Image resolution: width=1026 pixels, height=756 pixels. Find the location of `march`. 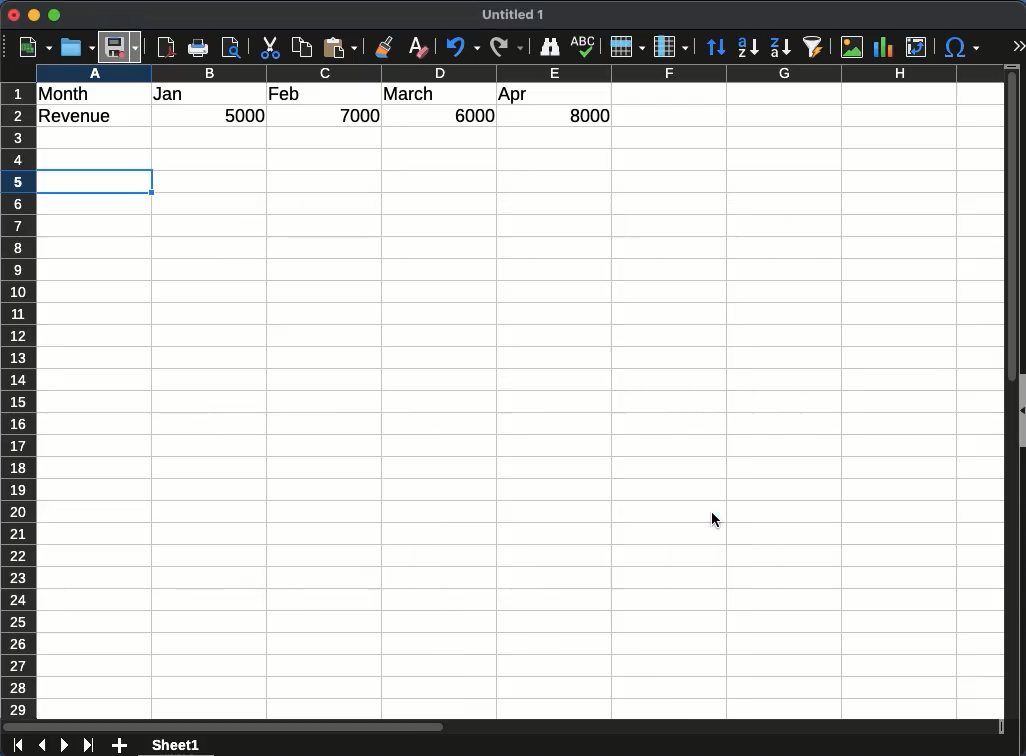

march is located at coordinates (409, 94).